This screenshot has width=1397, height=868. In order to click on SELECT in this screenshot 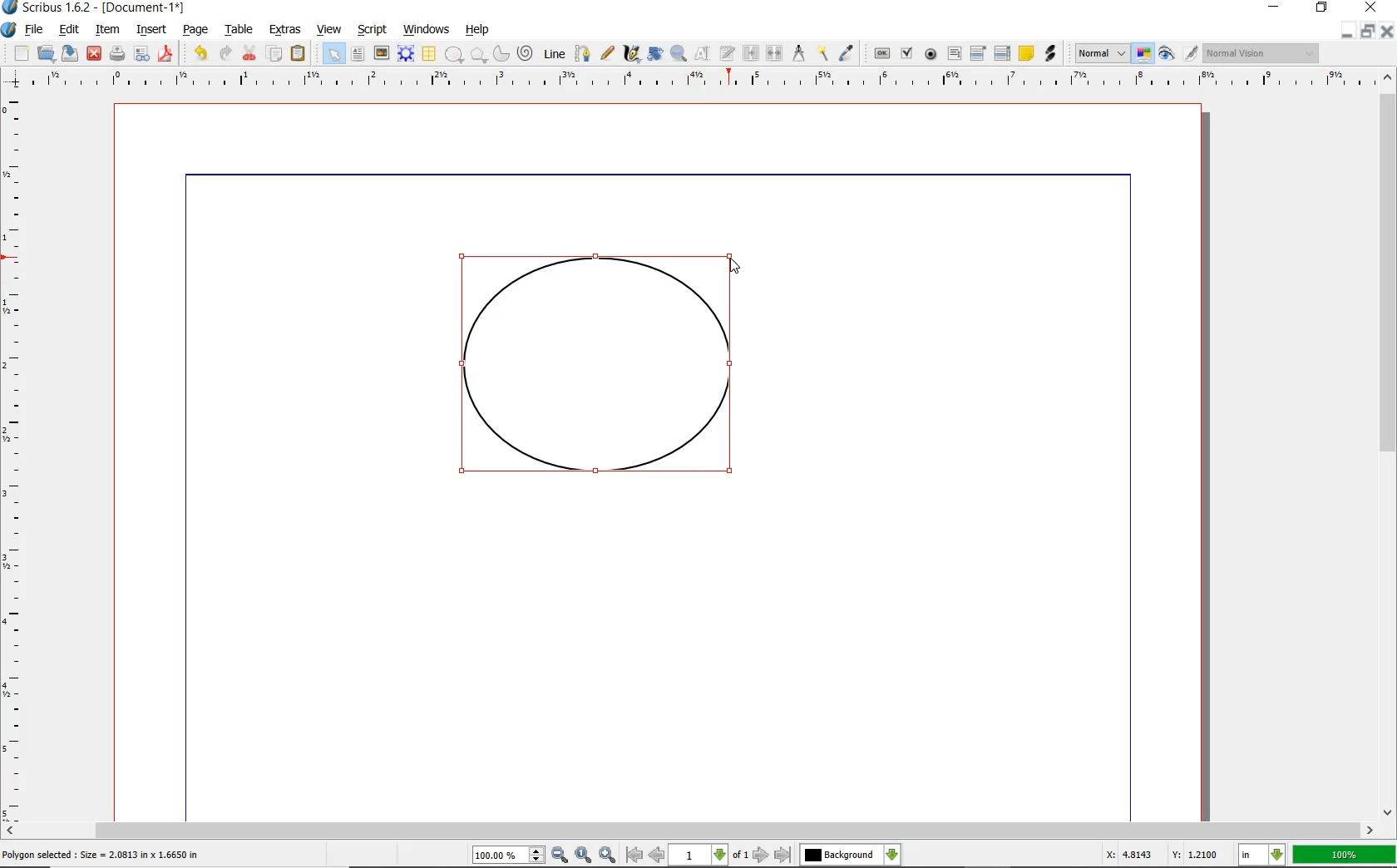, I will do `click(333, 55)`.